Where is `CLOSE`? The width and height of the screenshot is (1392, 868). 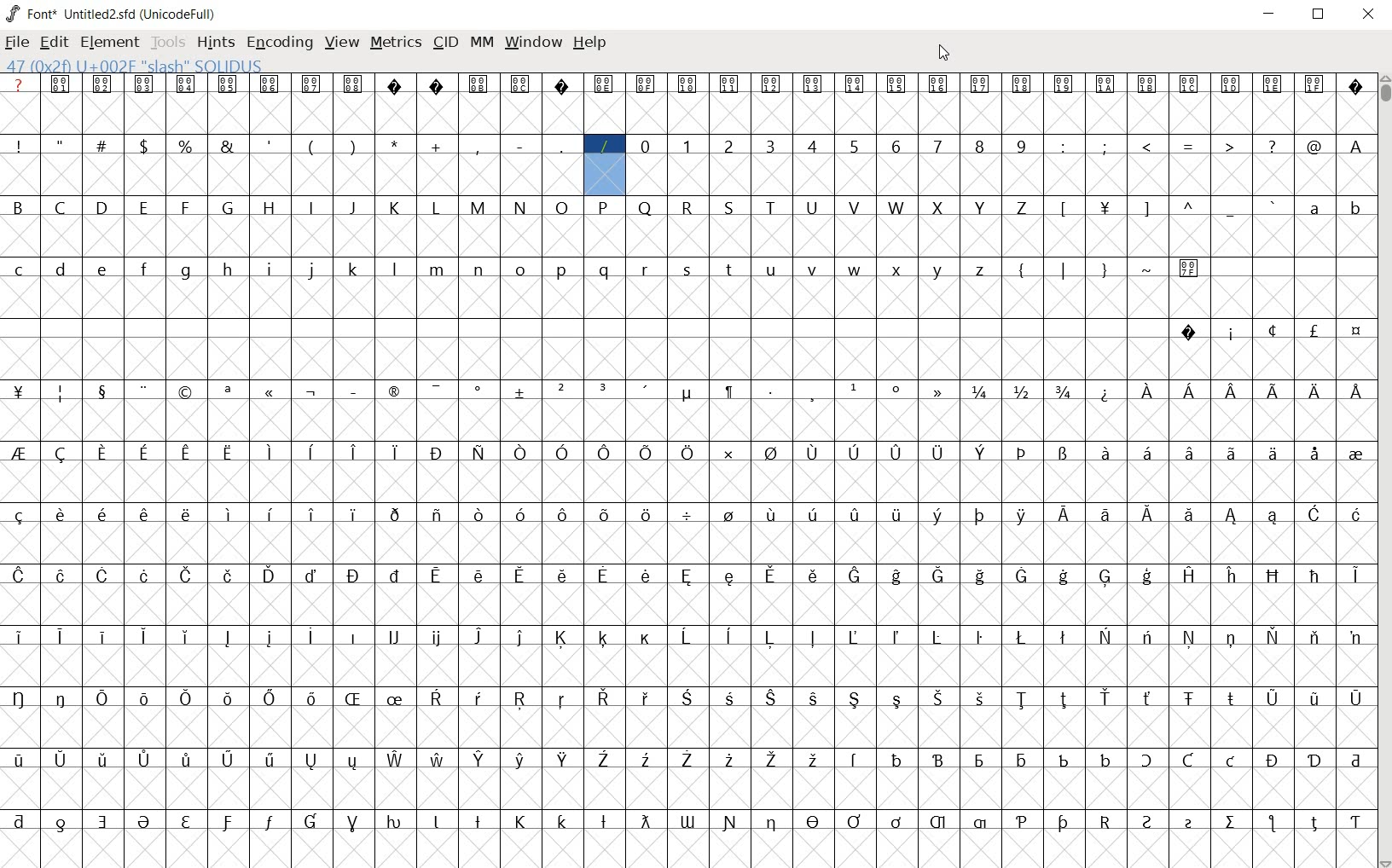
CLOSE is located at coordinates (1368, 15).